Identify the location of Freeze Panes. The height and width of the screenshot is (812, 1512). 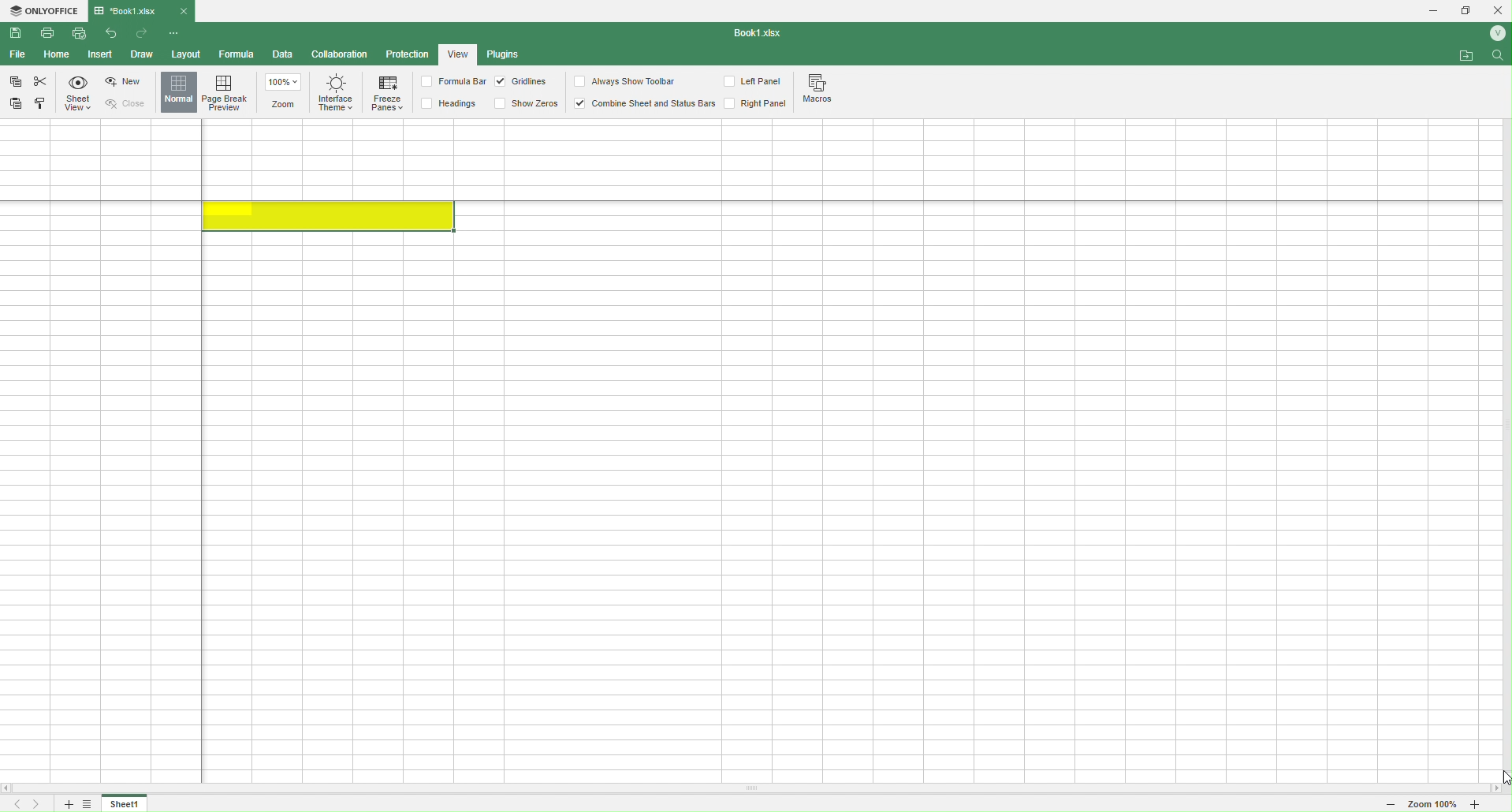
(388, 94).